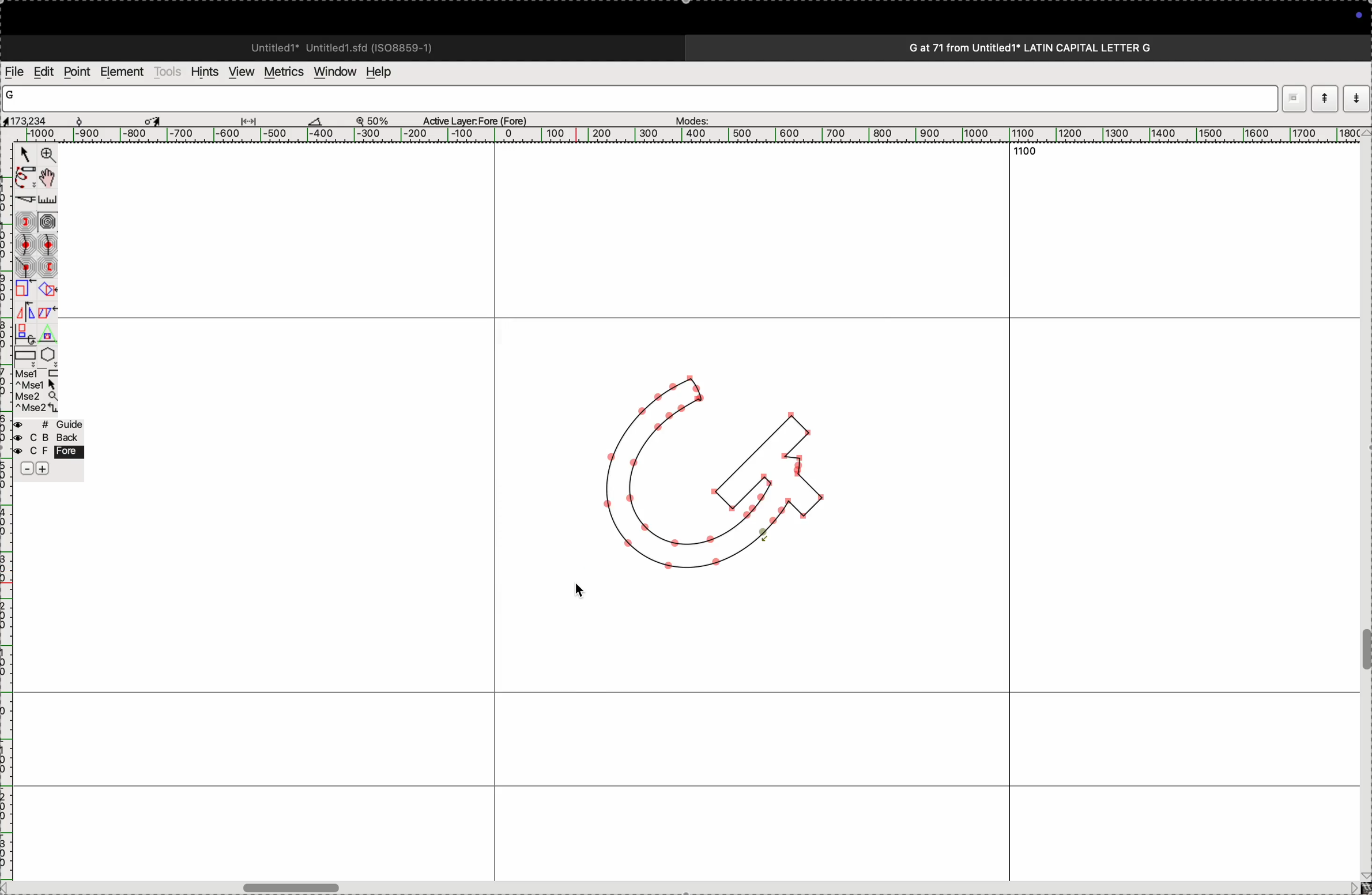  What do you see at coordinates (582, 589) in the screenshot?
I see `cursor` at bounding box center [582, 589].